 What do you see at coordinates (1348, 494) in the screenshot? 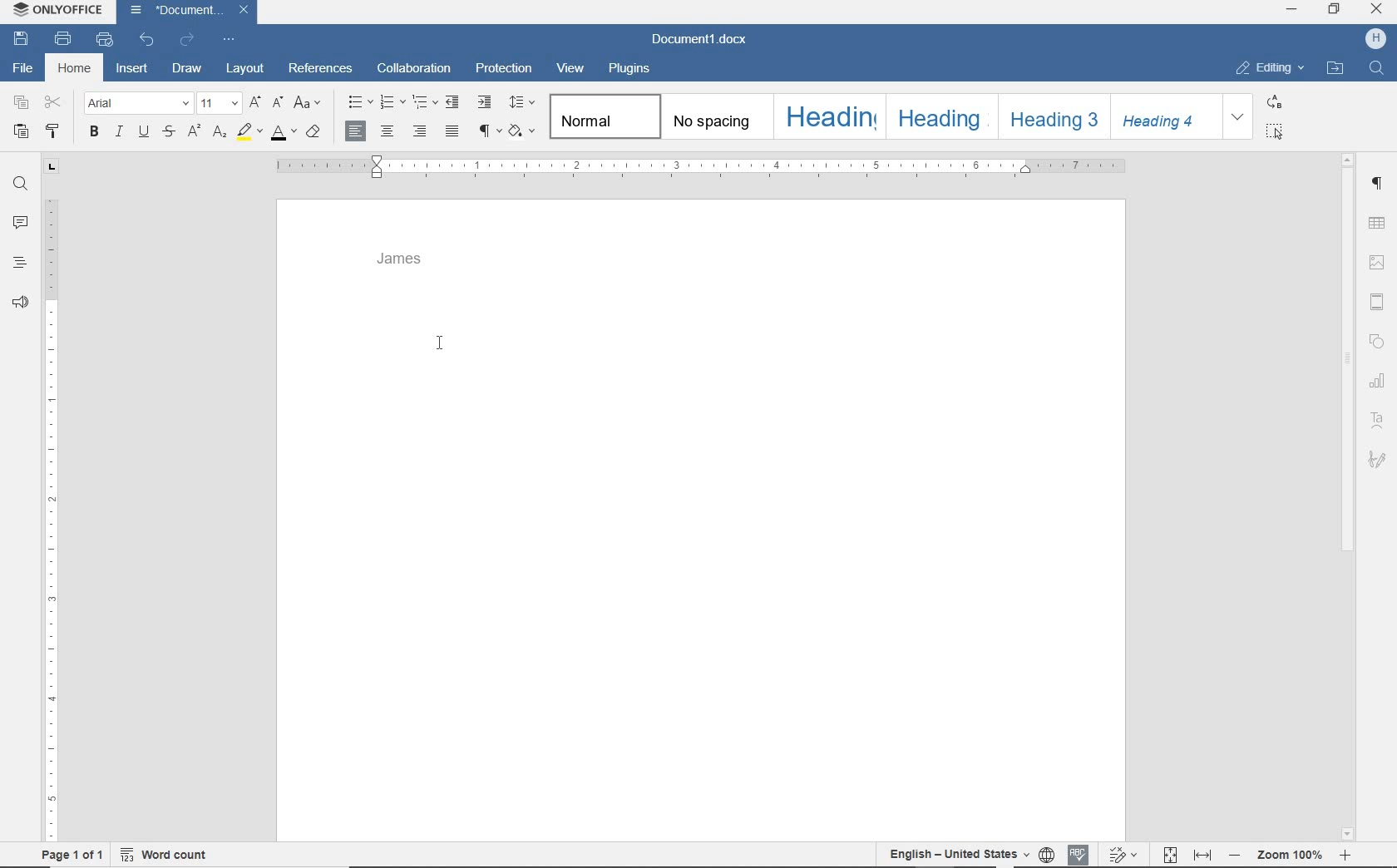
I see `scrollbar` at bounding box center [1348, 494].